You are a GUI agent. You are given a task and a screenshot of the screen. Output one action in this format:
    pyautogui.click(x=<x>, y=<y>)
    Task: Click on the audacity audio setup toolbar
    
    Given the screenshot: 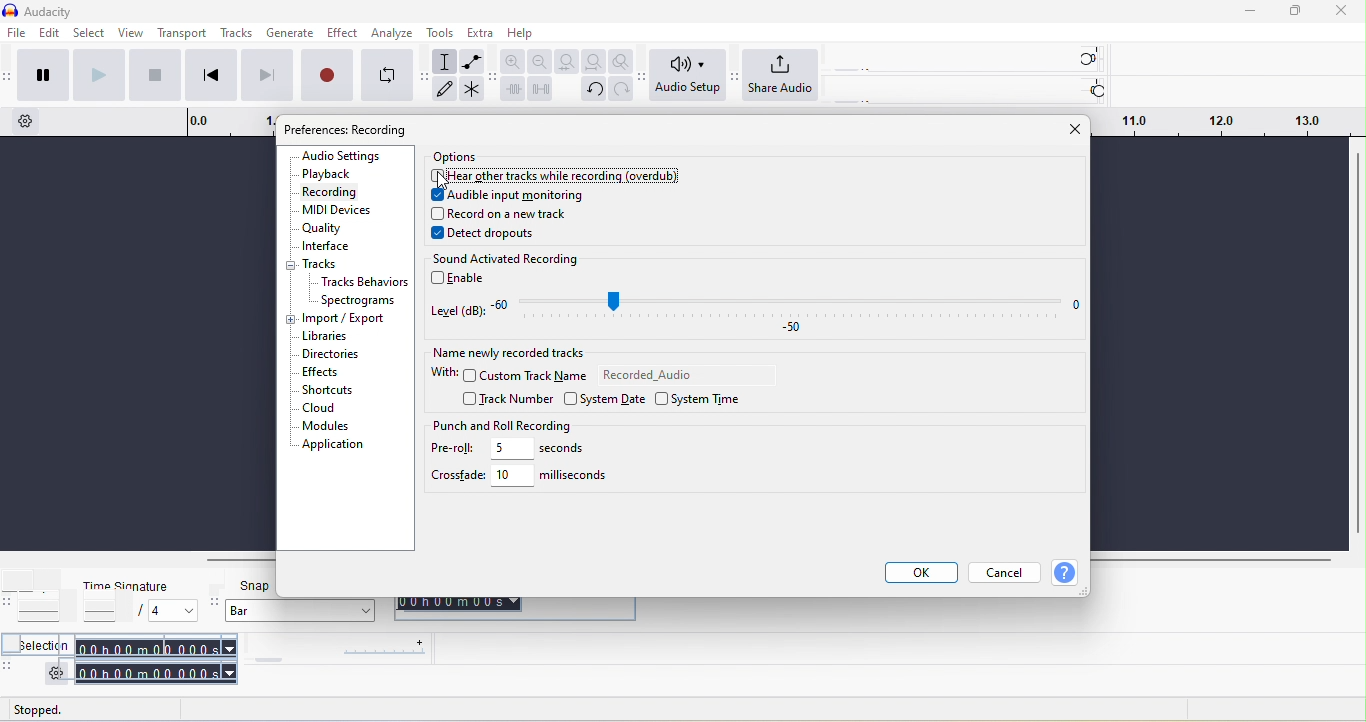 What is the action you would take?
    pyautogui.click(x=647, y=76)
    